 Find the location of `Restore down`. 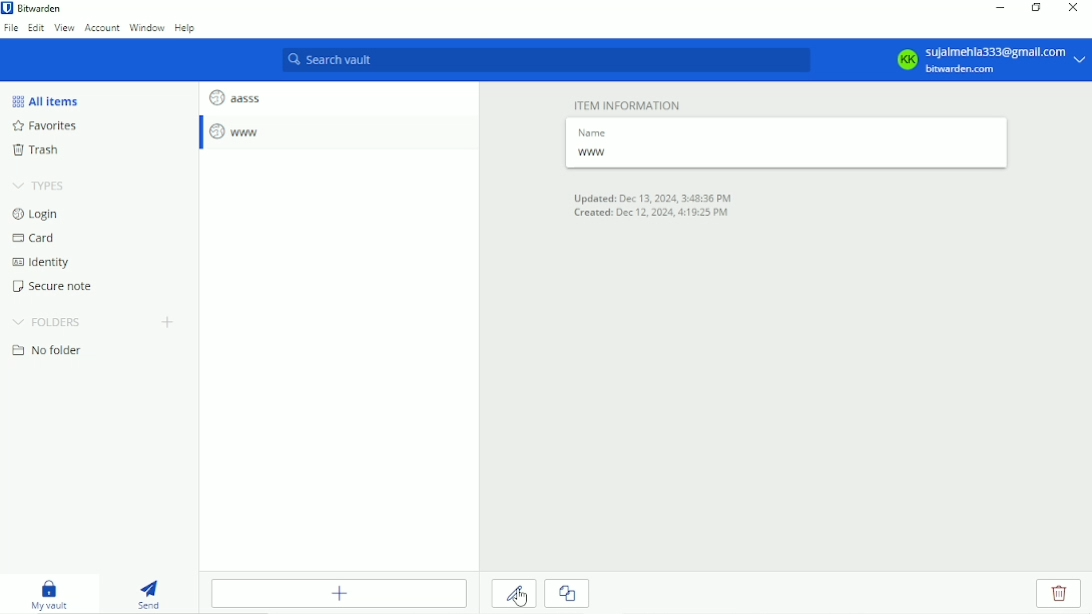

Restore down is located at coordinates (1037, 9).